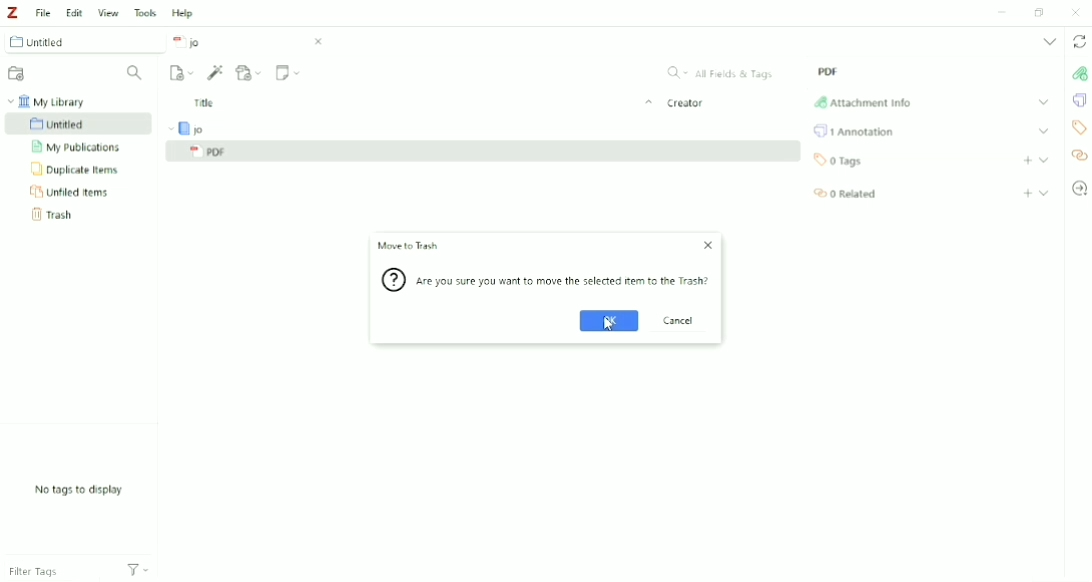 This screenshot has height=582, width=1092. Describe the element at coordinates (1027, 160) in the screenshot. I see `Add` at that location.